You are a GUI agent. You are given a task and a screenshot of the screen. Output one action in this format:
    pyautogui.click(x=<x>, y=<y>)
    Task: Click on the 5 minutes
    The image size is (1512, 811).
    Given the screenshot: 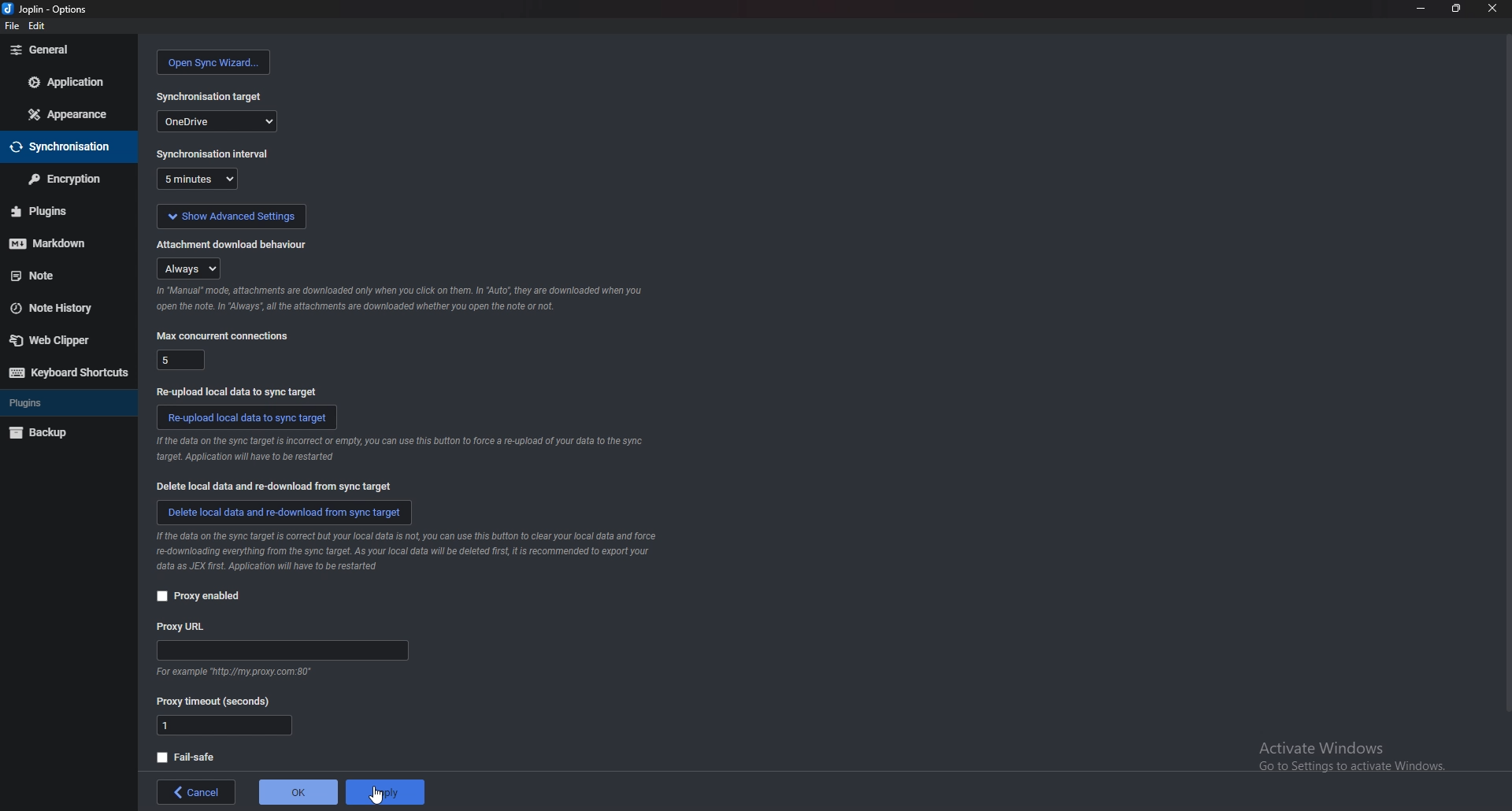 What is the action you would take?
    pyautogui.click(x=196, y=179)
    